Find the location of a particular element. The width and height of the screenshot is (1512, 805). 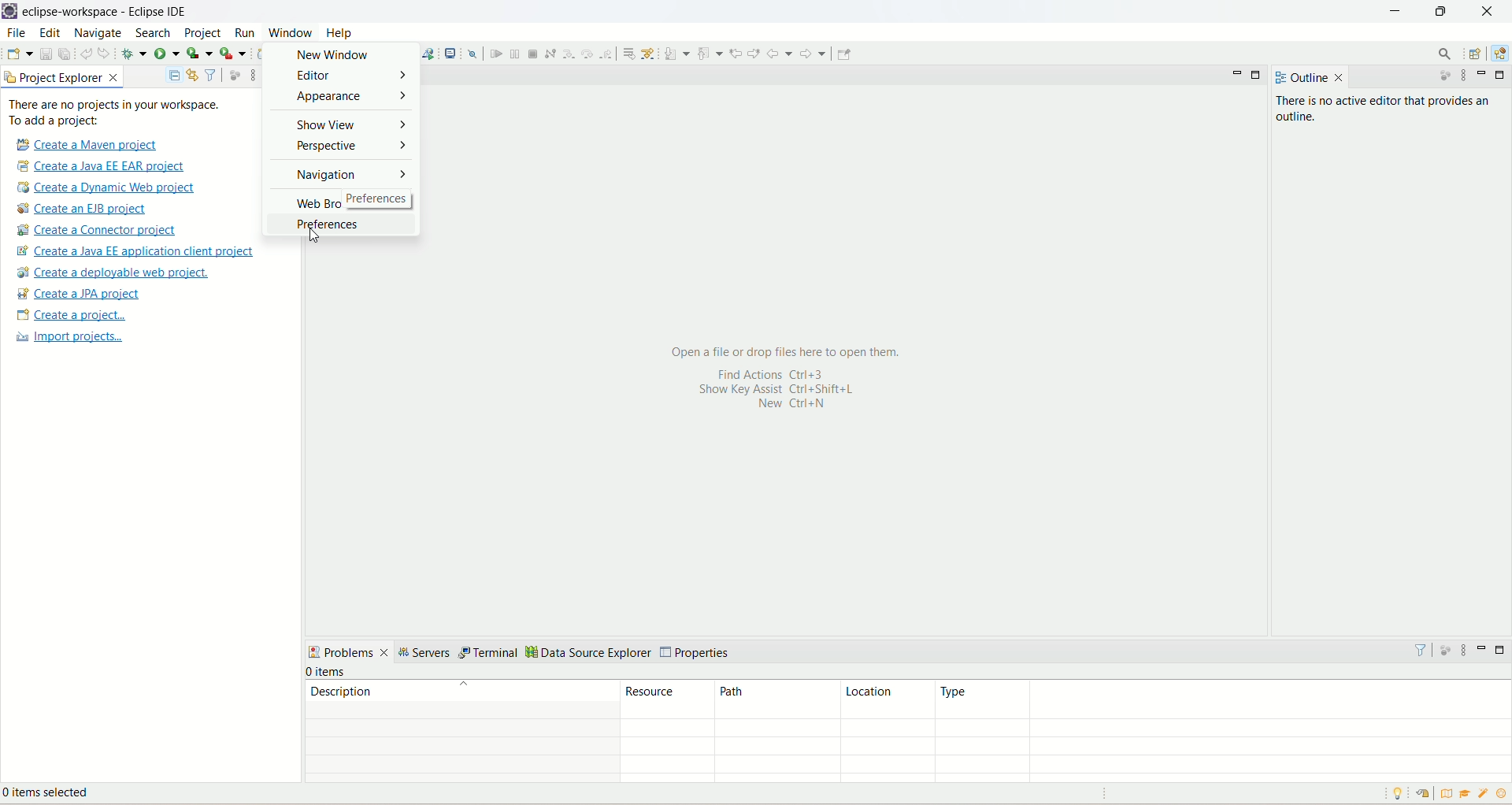

edit is located at coordinates (50, 34).